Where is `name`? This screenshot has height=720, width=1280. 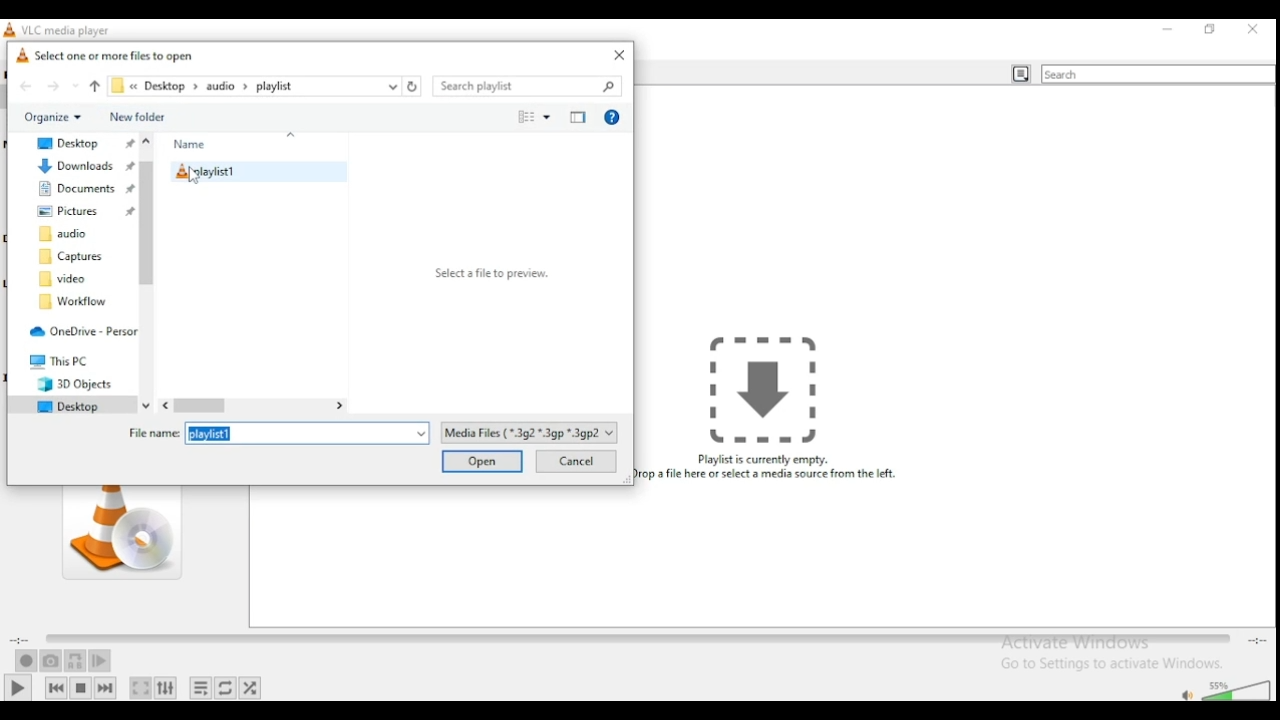 name is located at coordinates (239, 146).